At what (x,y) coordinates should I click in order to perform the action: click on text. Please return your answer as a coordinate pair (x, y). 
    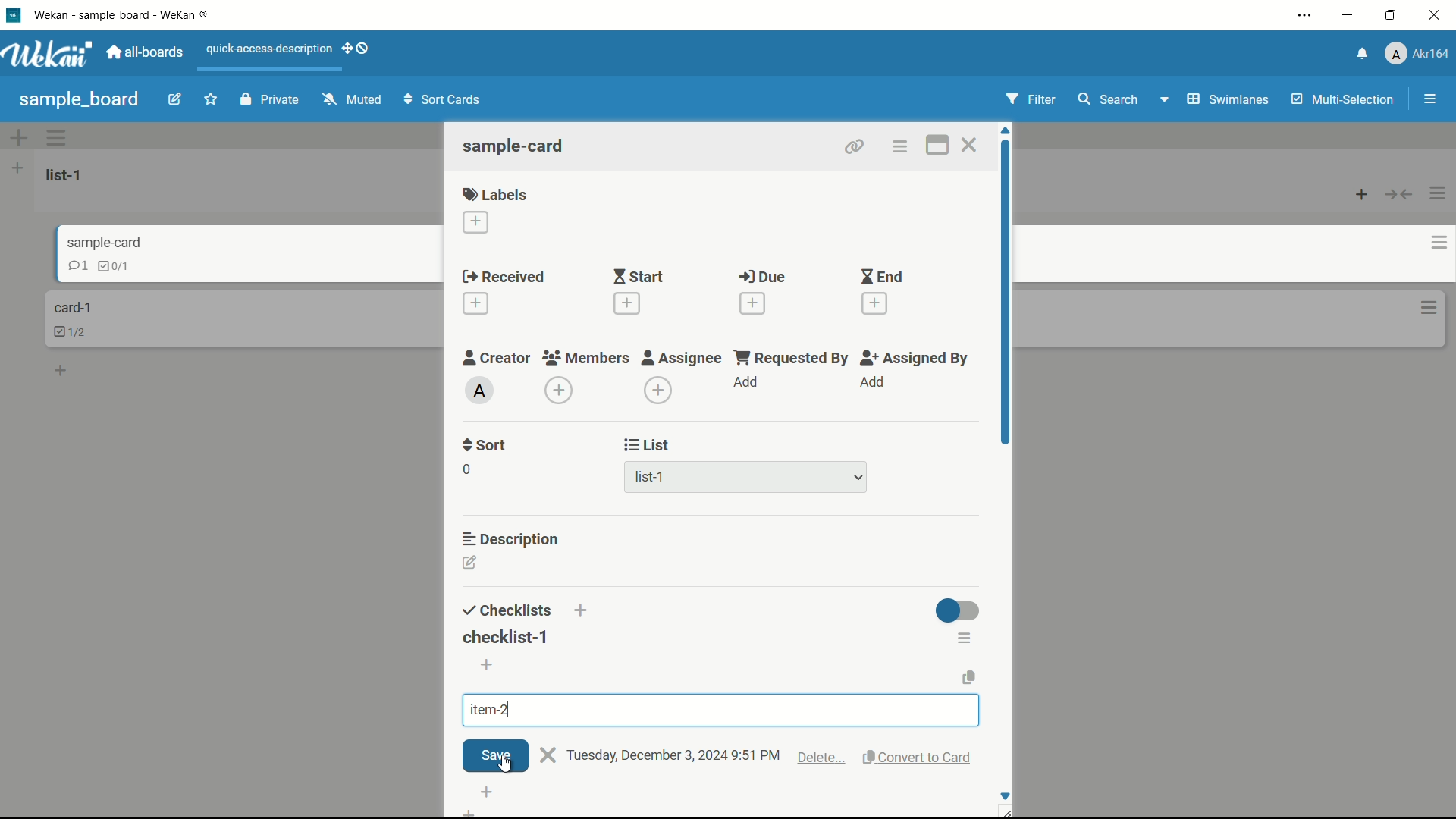
    Looking at the image, I should click on (674, 756).